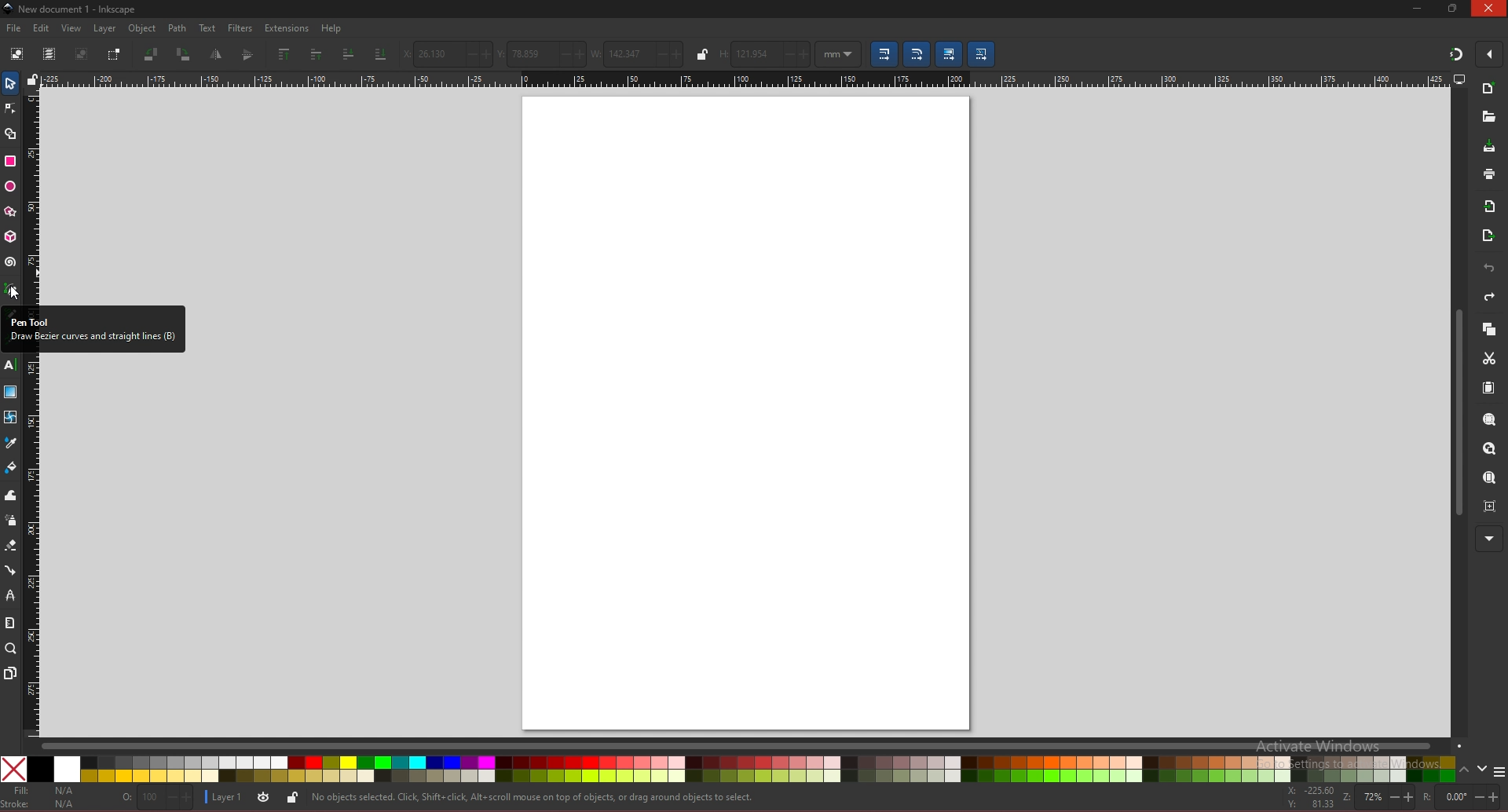 The image size is (1508, 812). What do you see at coordinates (1490, 148) in the screenshot?
I see `save` at bounding box center [1490, 148].